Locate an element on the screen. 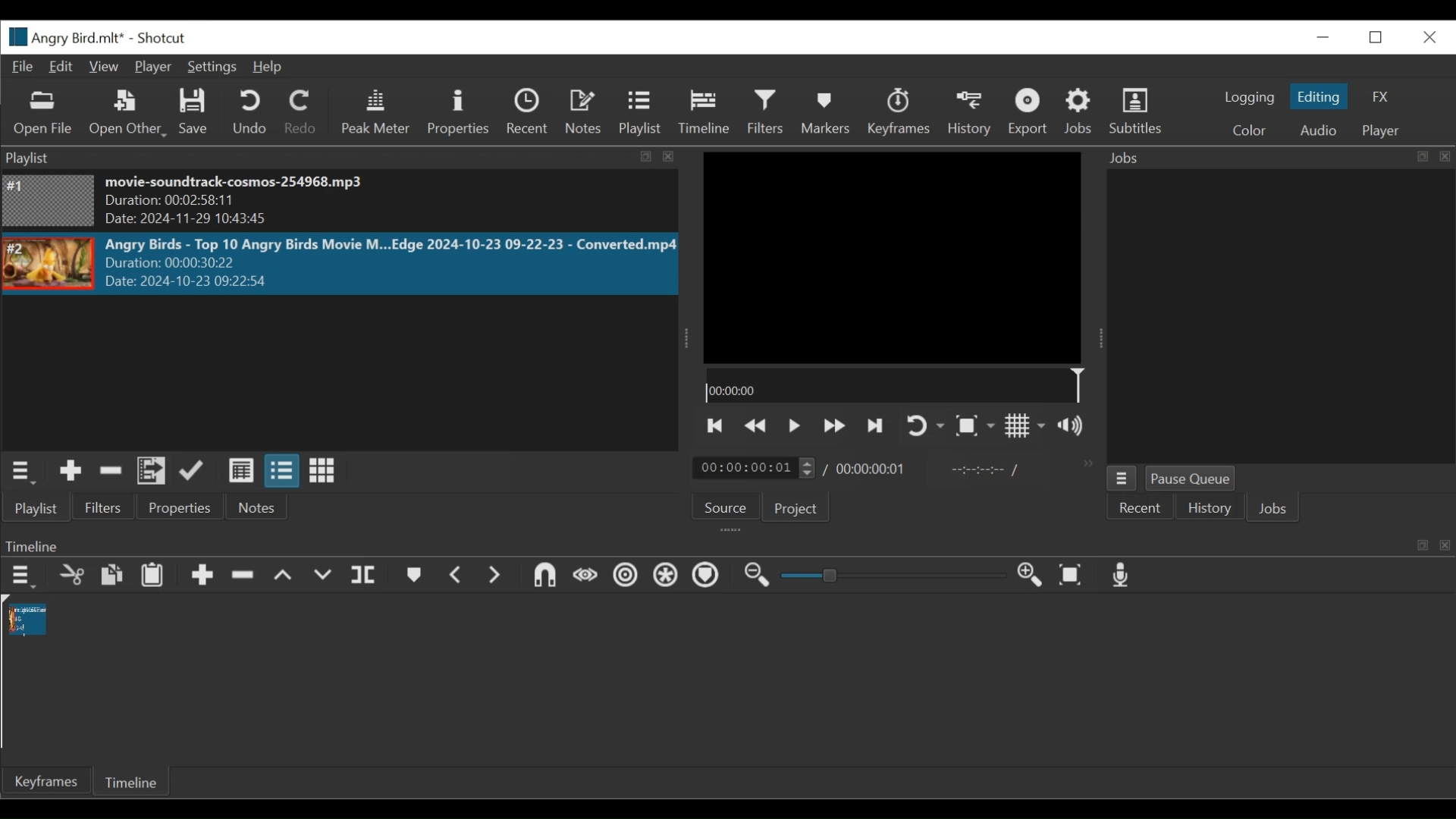 Image resolution: width=1456 pixels, height=819 pixels. Markers is located at coordinates (826, 112).